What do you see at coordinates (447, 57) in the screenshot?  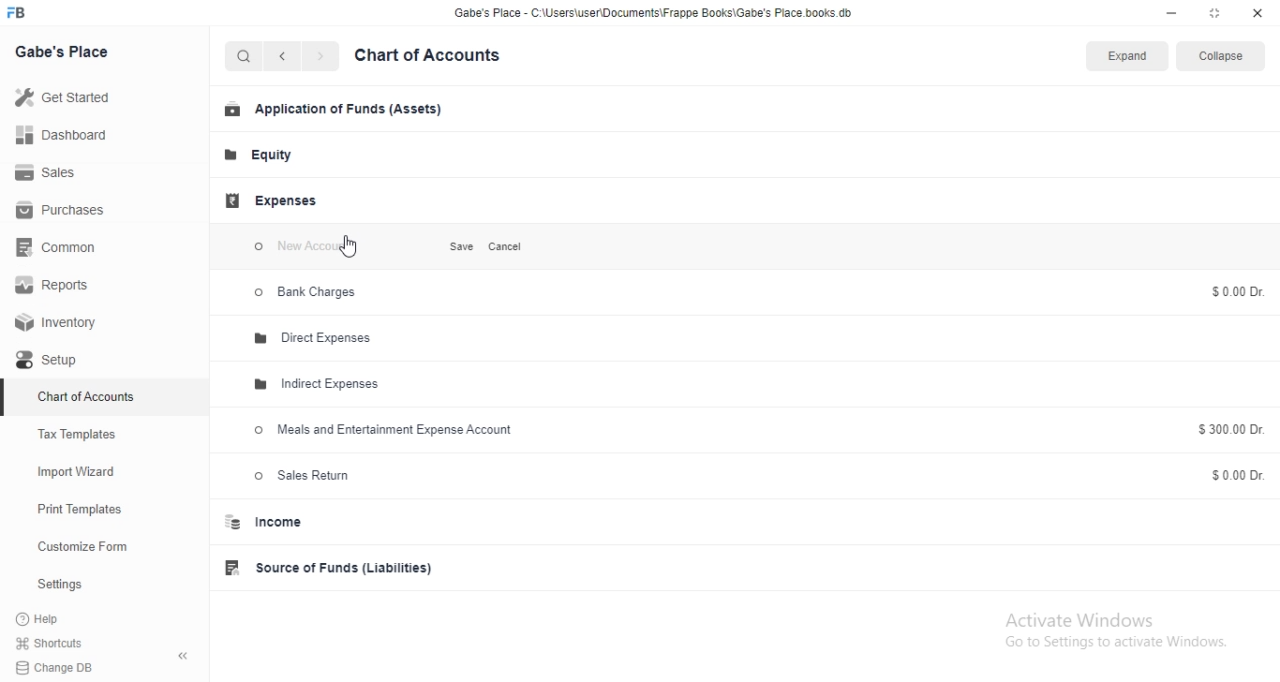 I see `Chart of Accounts.` at bounding box center [447, 57].